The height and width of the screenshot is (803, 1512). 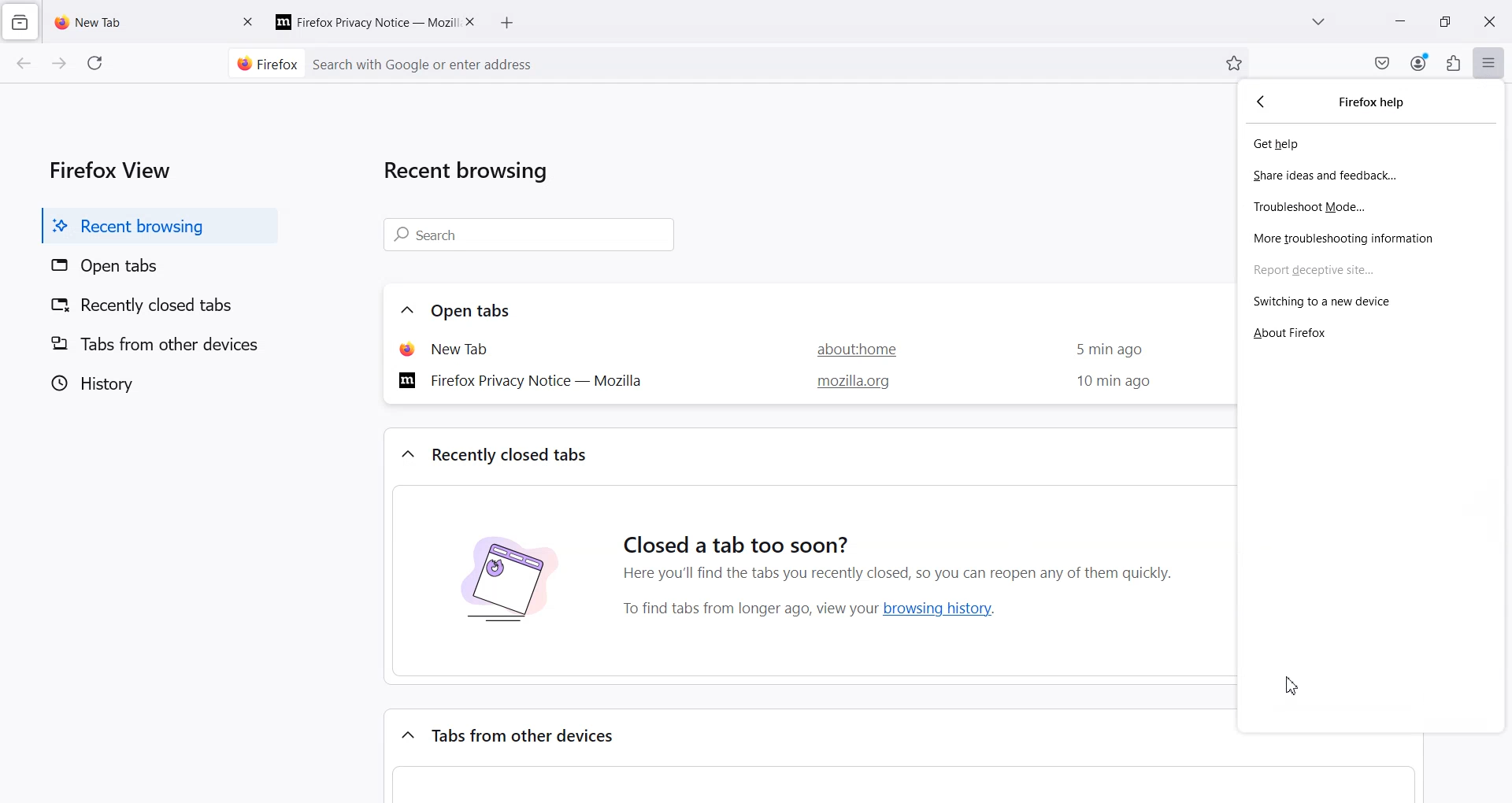 I want to click on browsing history, so click(x=944, y=608).